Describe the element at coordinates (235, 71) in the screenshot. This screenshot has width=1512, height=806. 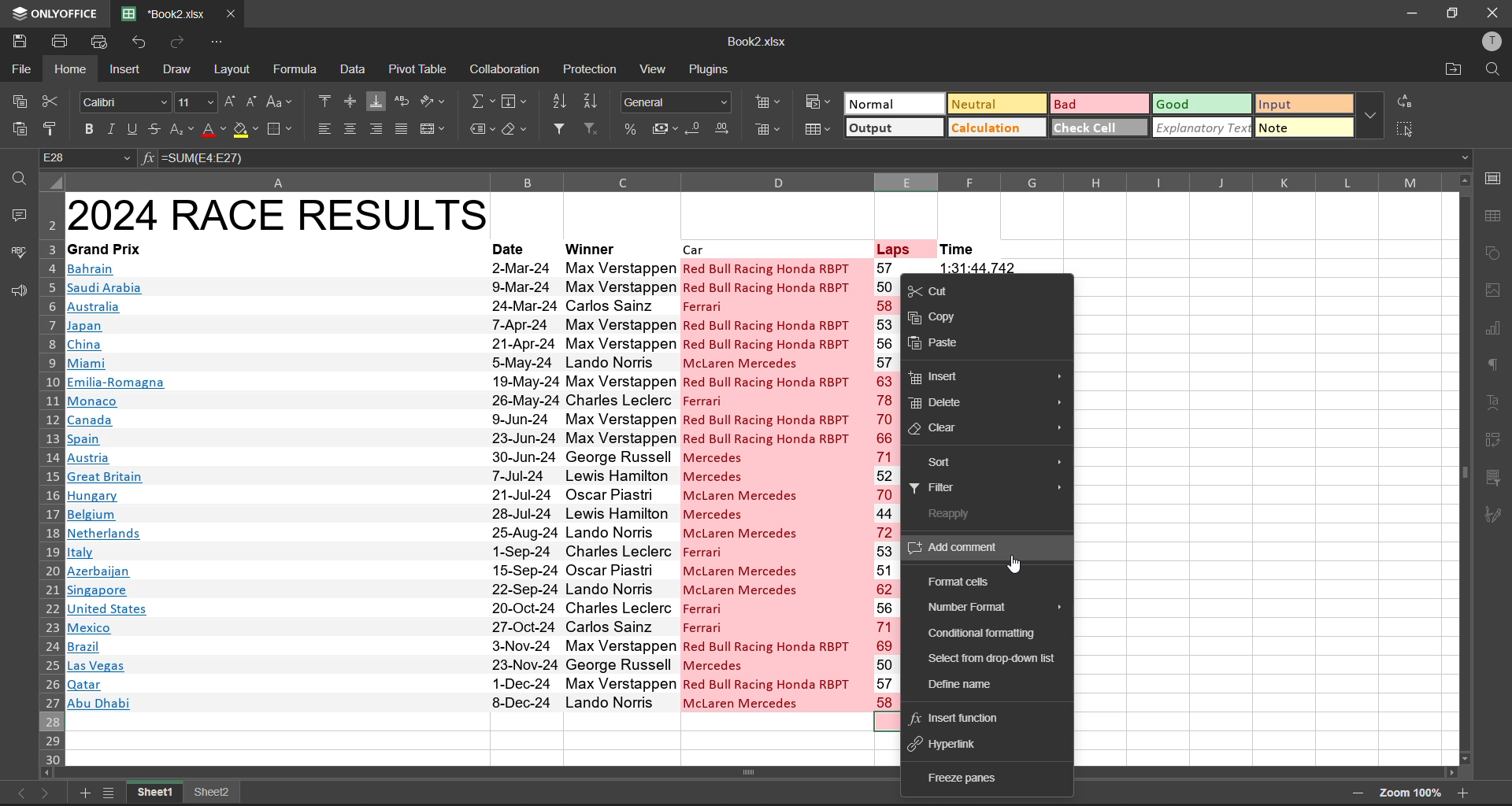
I see `layout` at that location.